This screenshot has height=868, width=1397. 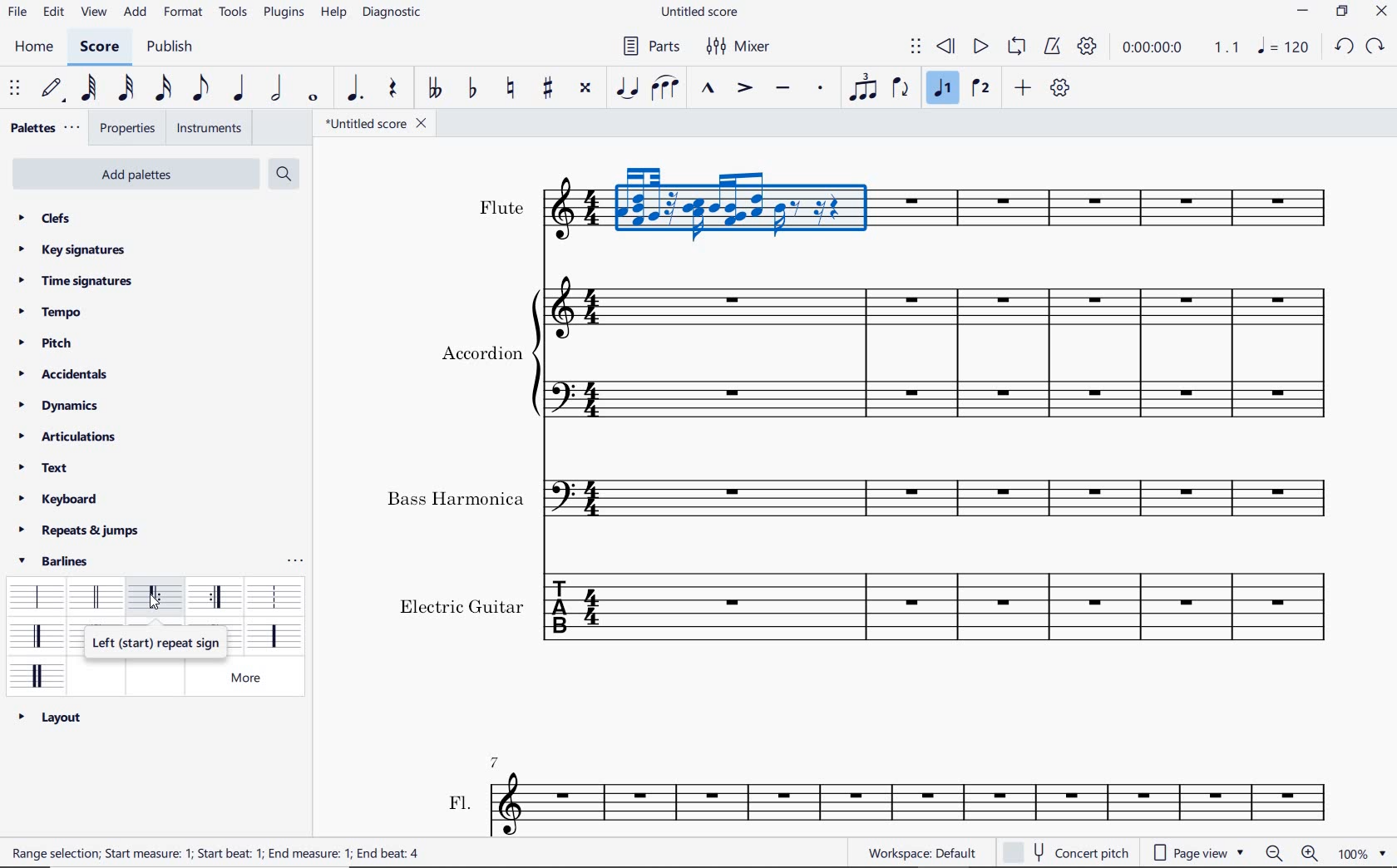 I want to click on toggle double-flat, so click(x=434, y=89).